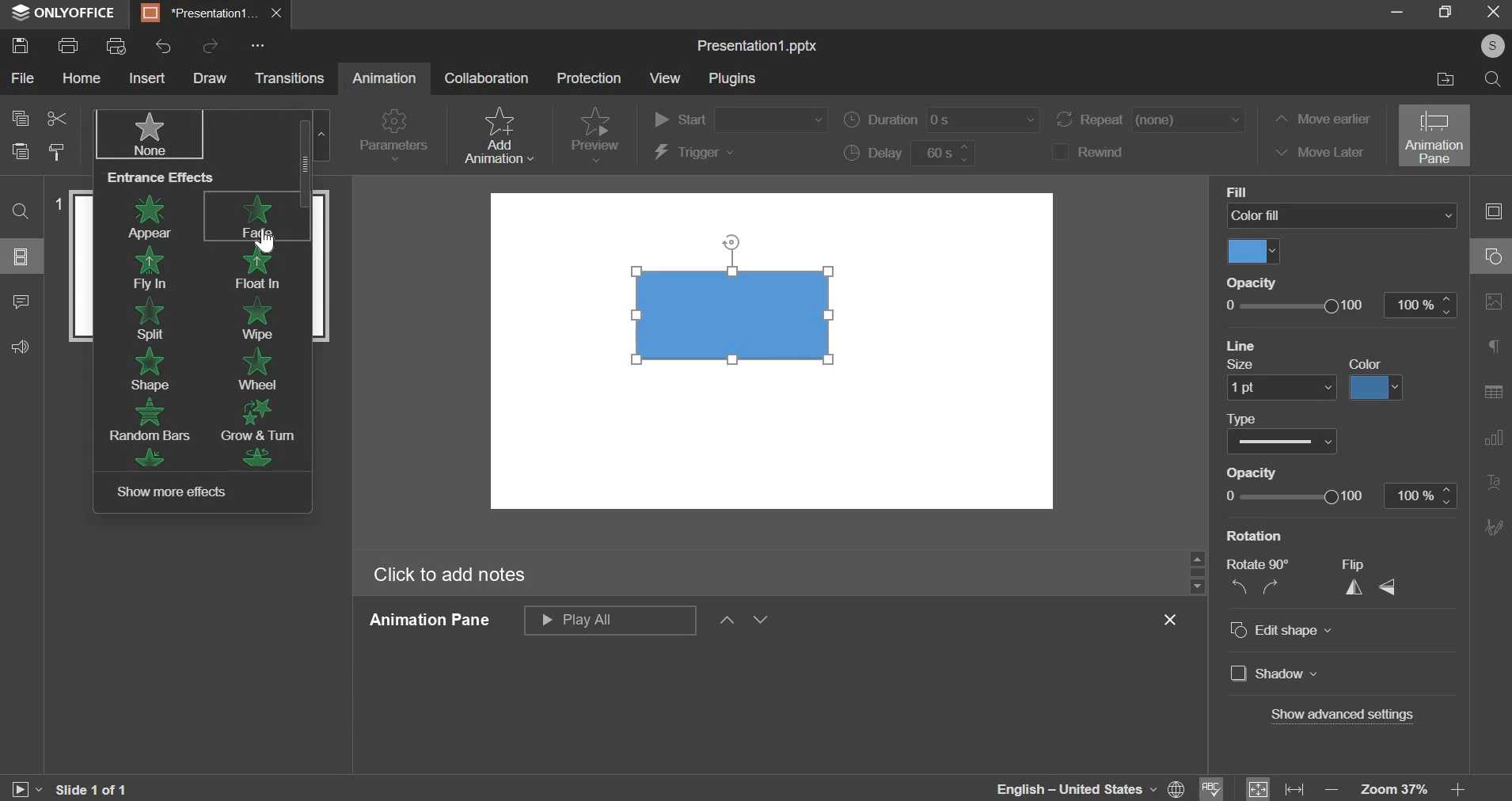  What do you see at coordinates (215, 78) in the screenshot?
I see `draw` at bounding box center [215, 78].